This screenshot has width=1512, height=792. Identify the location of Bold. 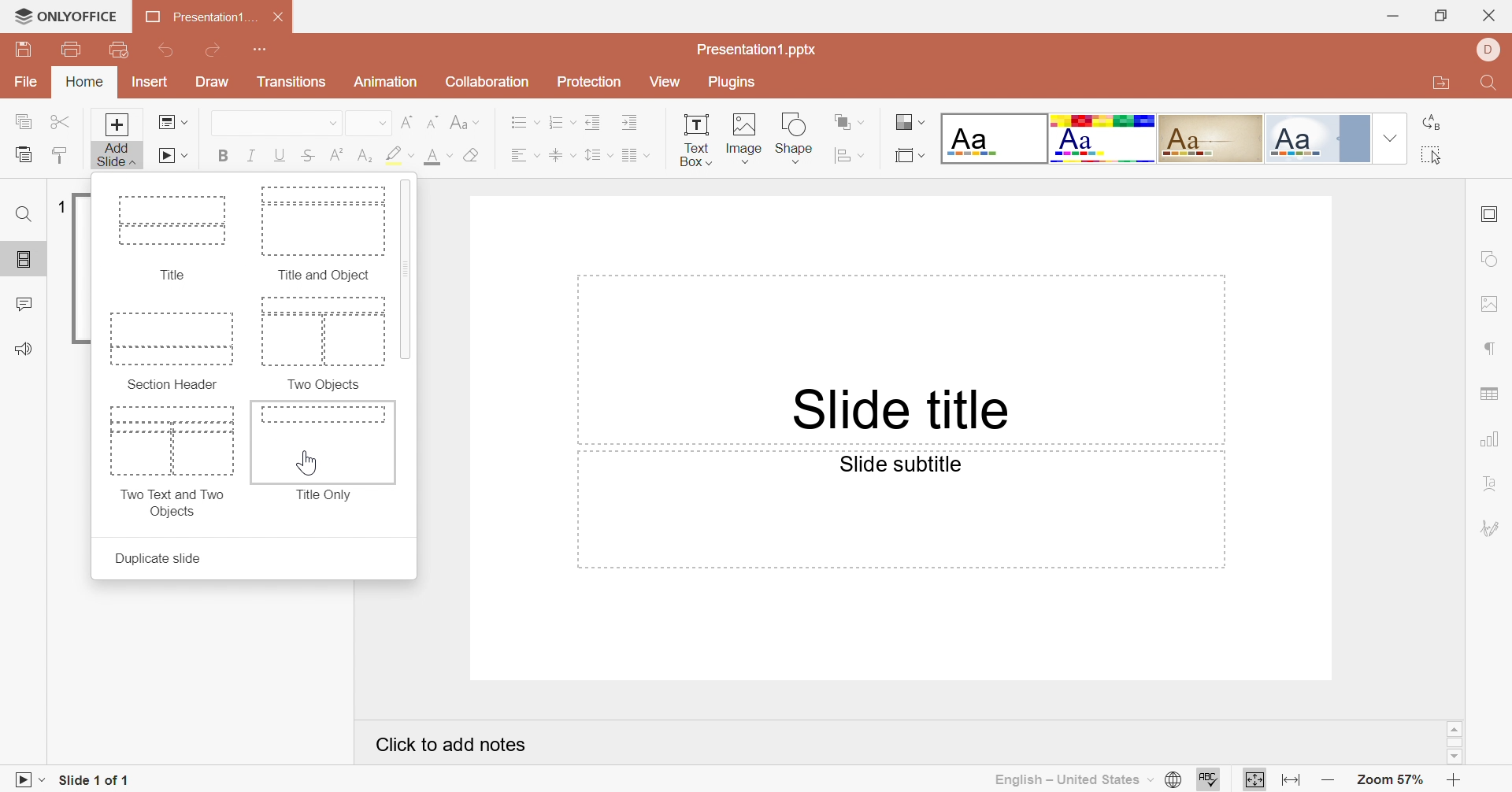
(225, 153).